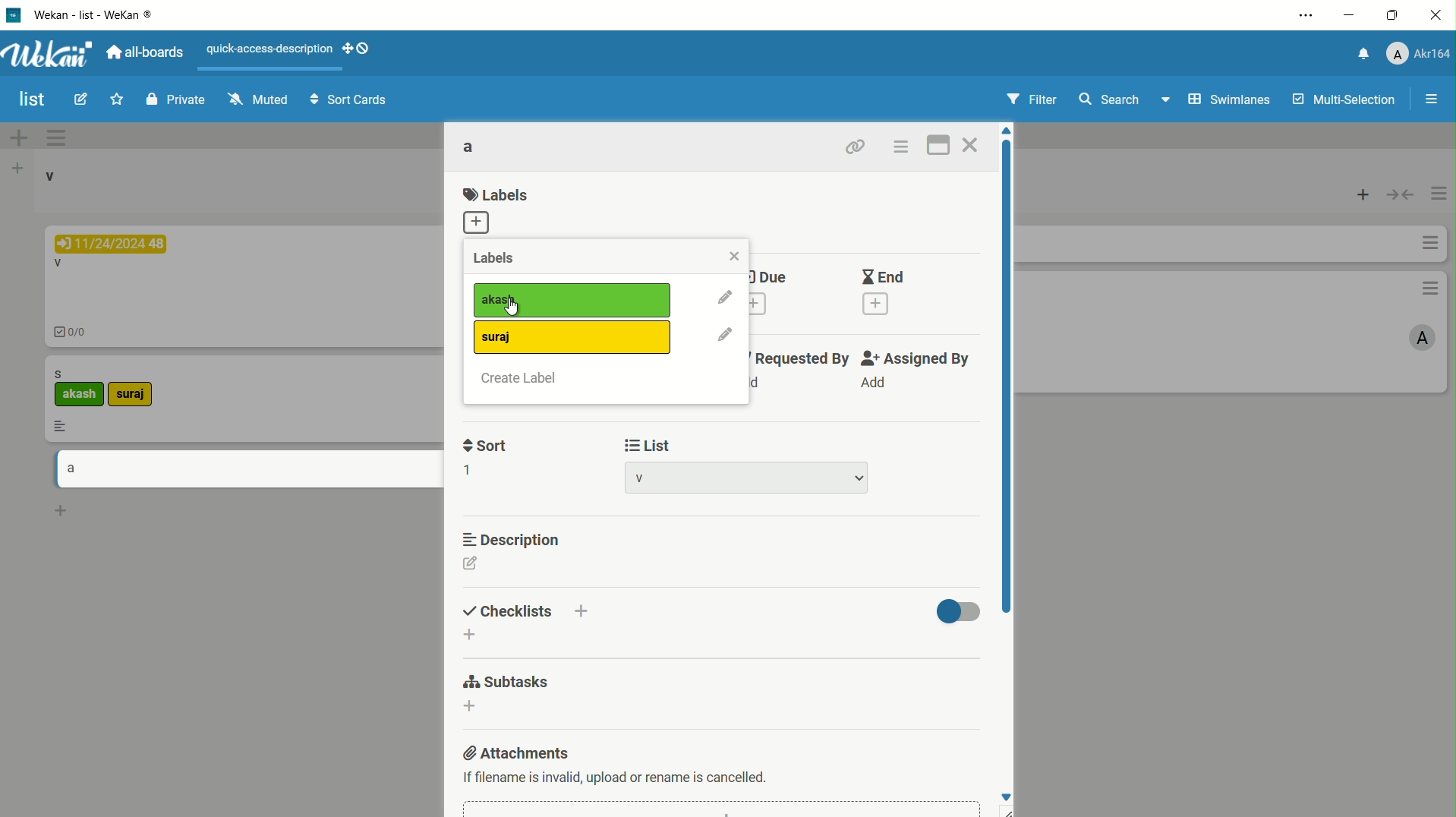 Image resolution: width=1456 pixels, height=817 pixels. Describe the element at coordinates (972, 147) in the screenshot. I see `close card` at that location.